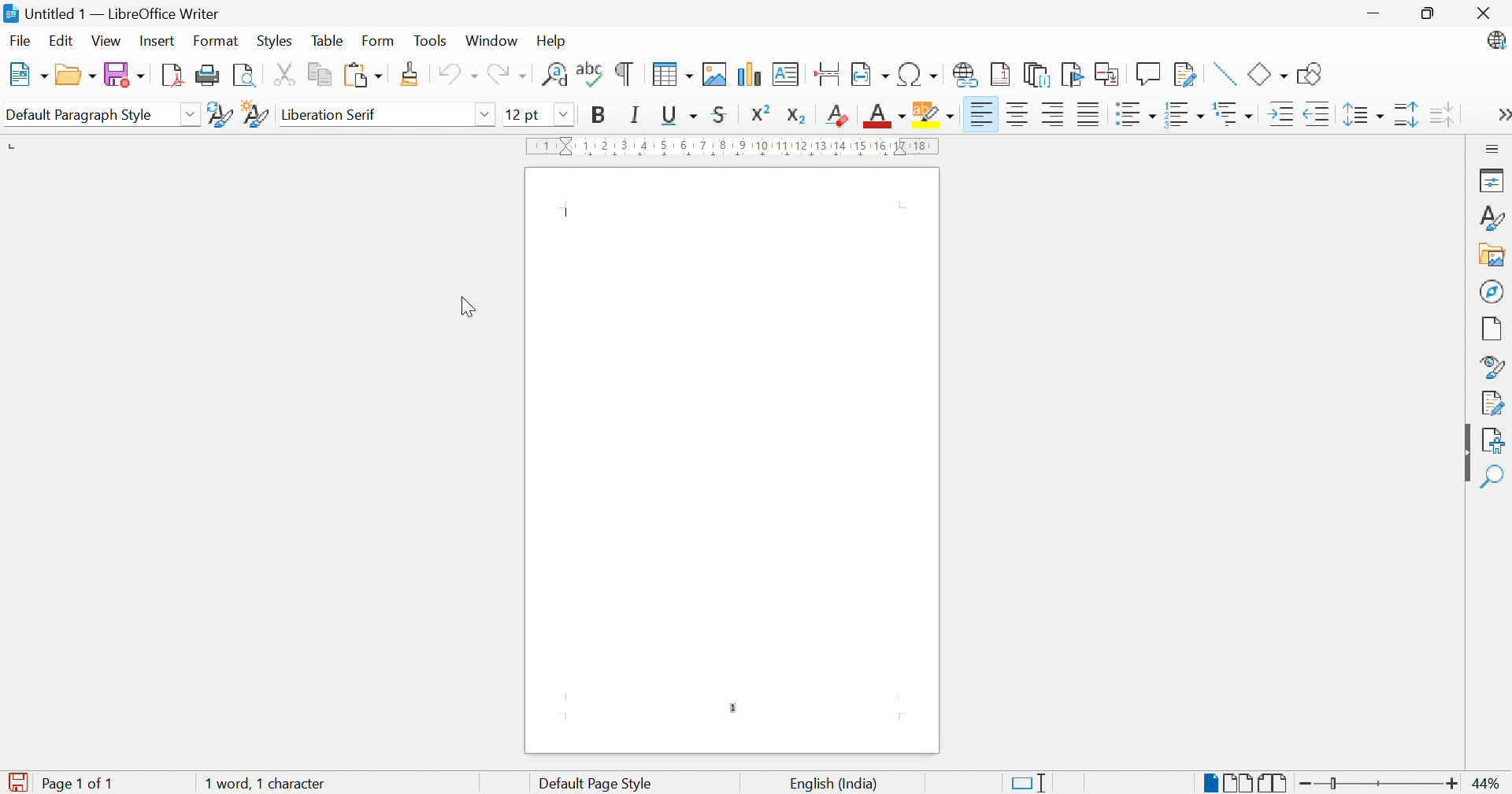 This screenshot has height=794, width=1512. Describe the element at coordinates (1493, 254) in the screenshot. I see `Gallery` at that location.